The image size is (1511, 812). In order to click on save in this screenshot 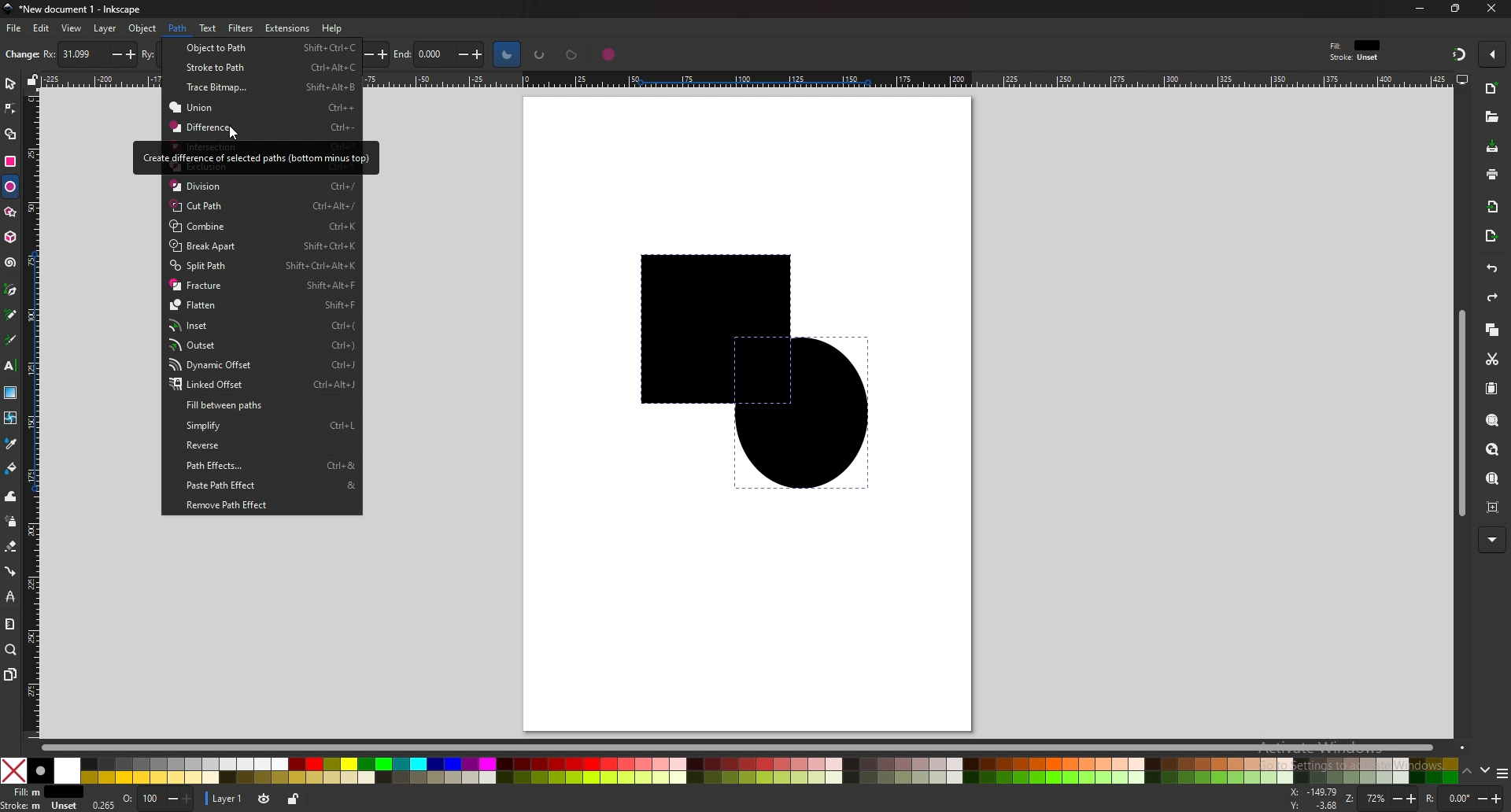, I will do `click(1491, 146)`.